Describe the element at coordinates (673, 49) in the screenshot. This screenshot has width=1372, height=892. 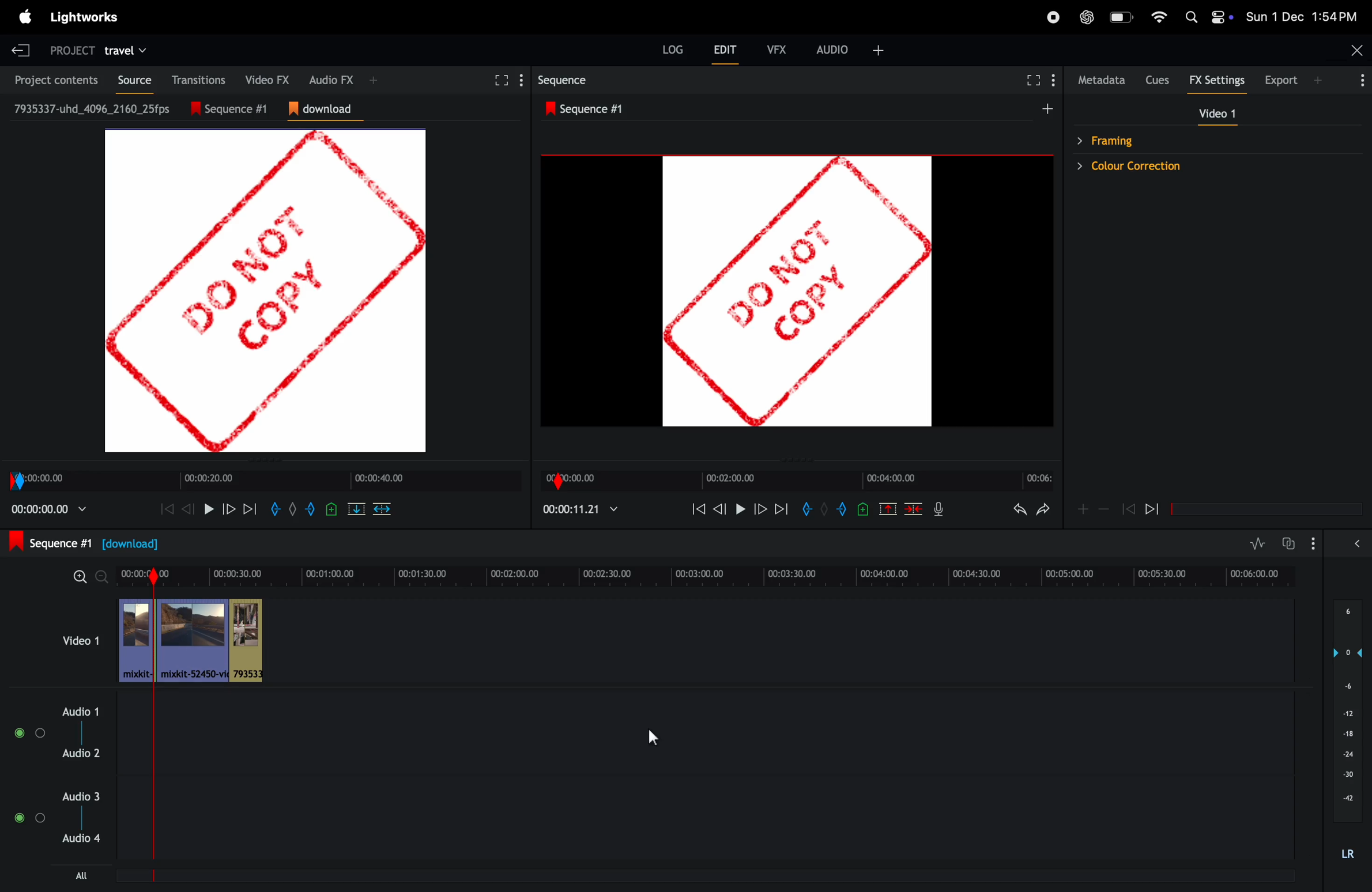
I see `log` at that location.